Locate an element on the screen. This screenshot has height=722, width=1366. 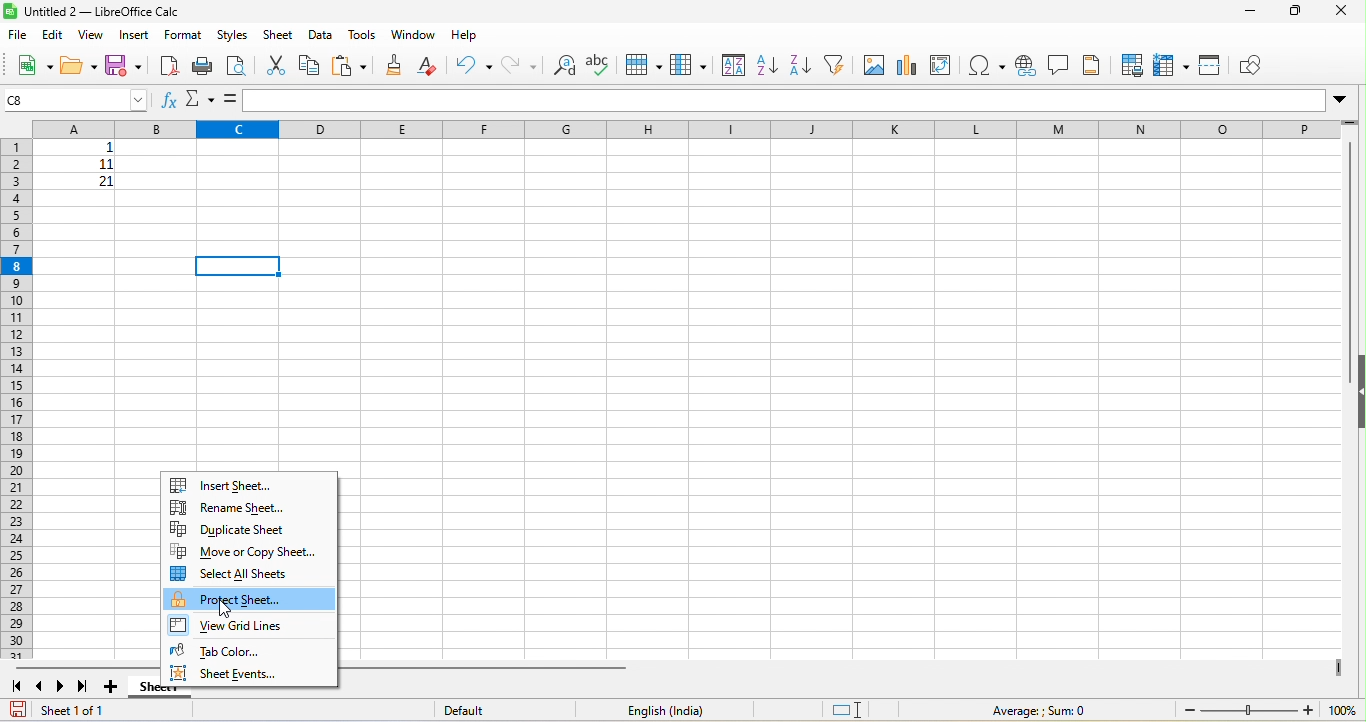
show draw function is located at coordinates (1256, 67).